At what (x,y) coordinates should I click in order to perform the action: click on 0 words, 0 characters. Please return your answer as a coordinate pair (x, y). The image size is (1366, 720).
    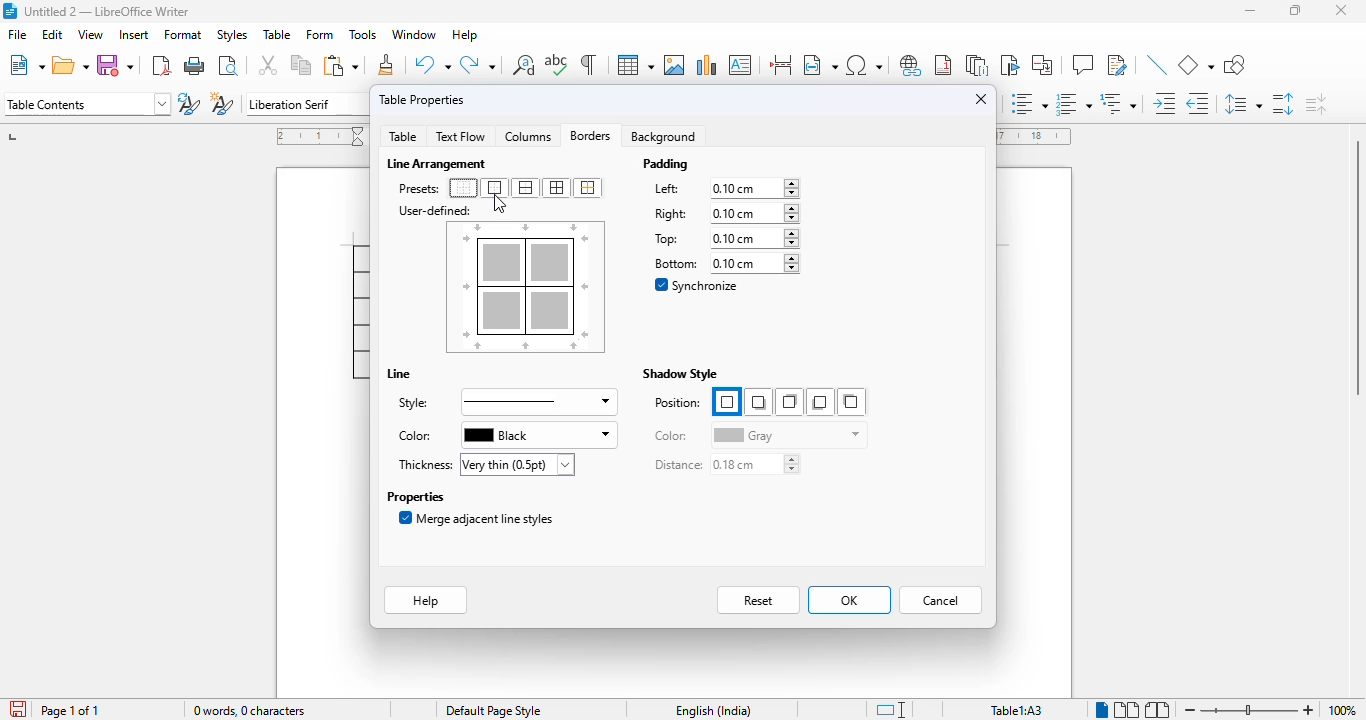
    Looking at the image, I should click on (248, 710).